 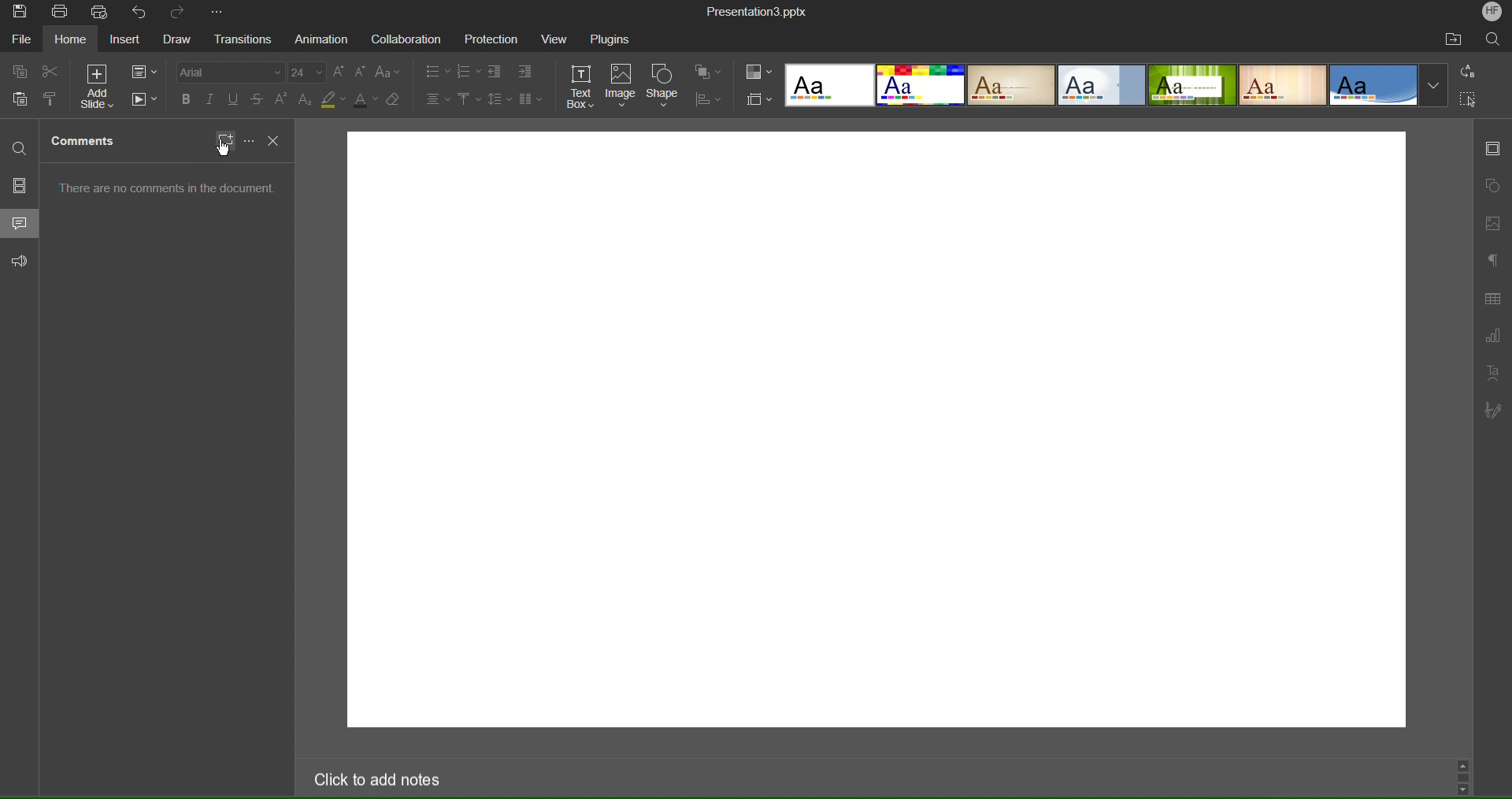 What do you see at coordinates (20, 13) in the screenshot?
I see `Save Image` at bounding box center [20, 13].